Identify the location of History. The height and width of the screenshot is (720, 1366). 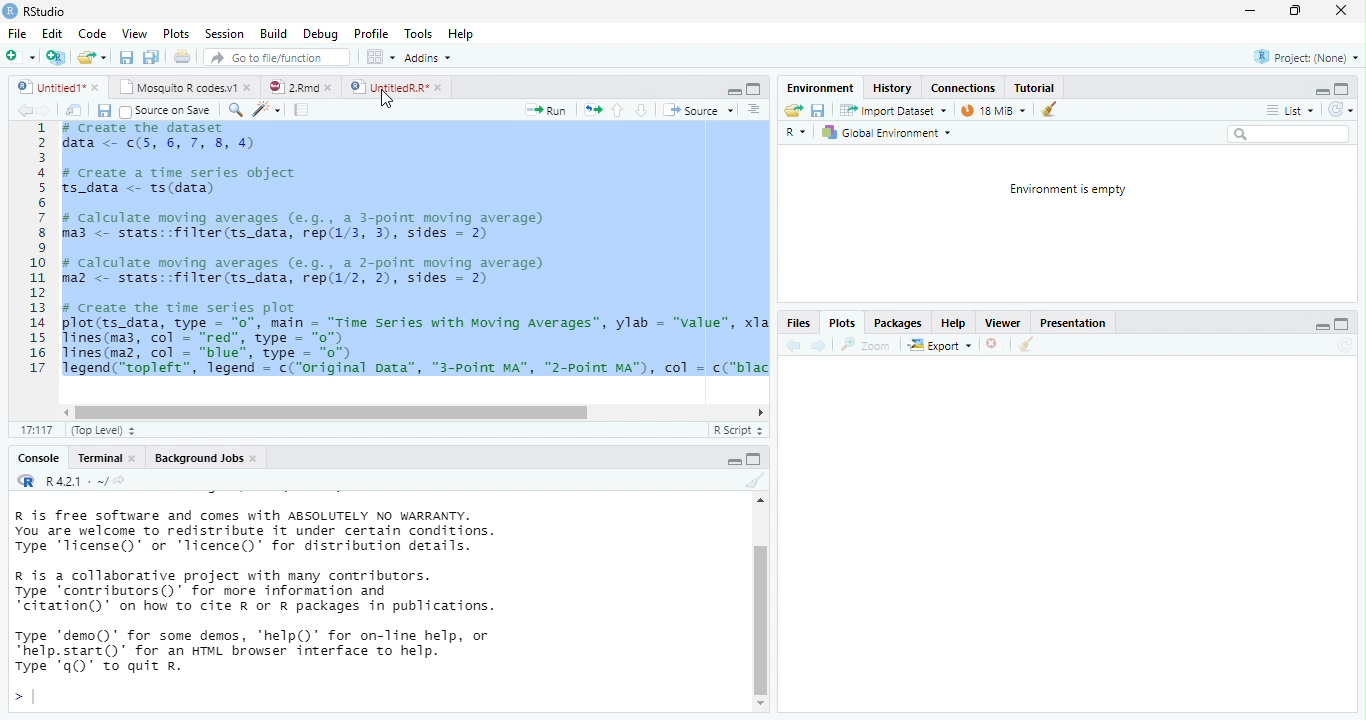
(892, 87).